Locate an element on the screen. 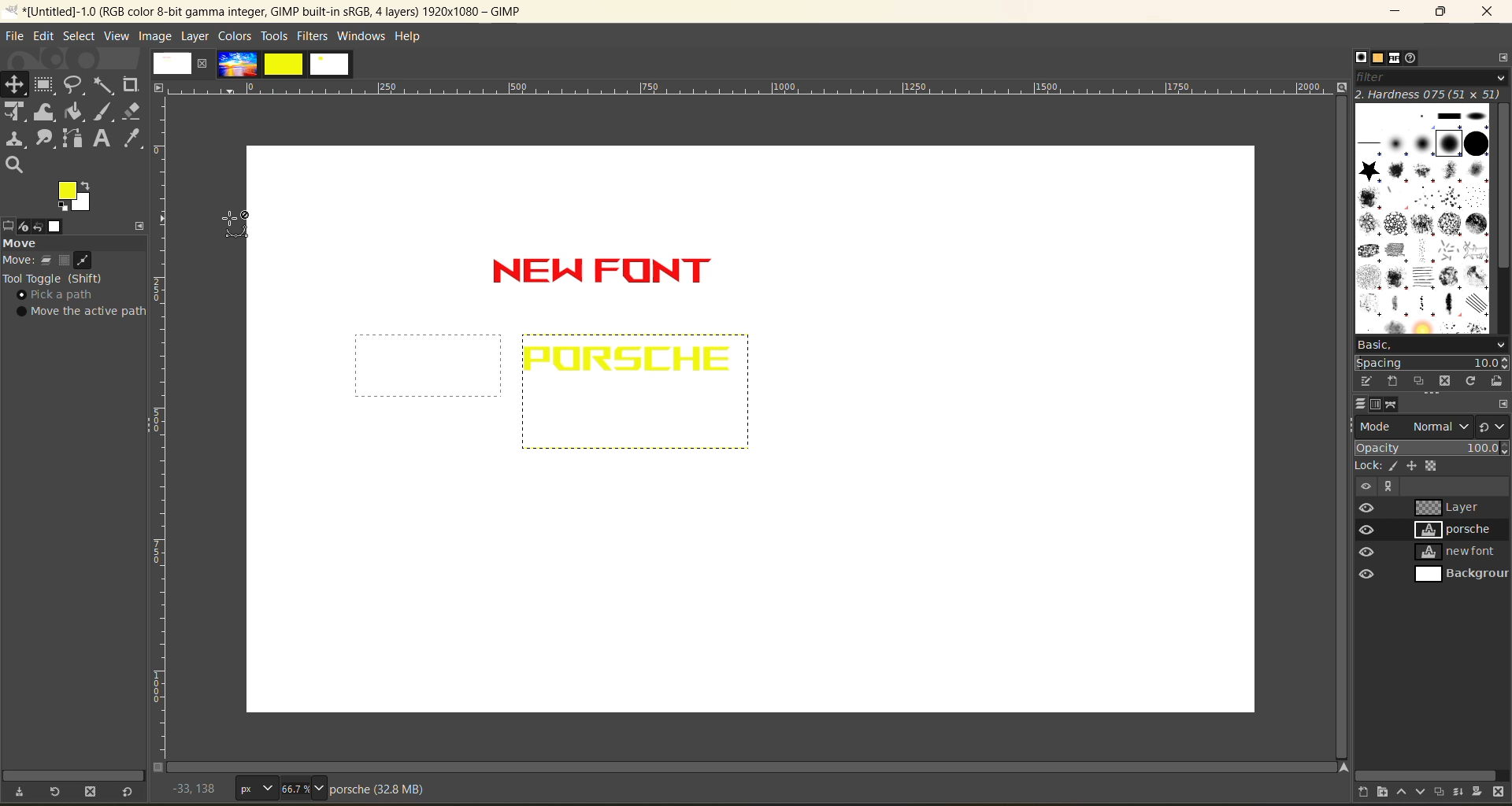 The height and width of the screenshot is (806, 1512). layers is located at coordinates (1354, 405).